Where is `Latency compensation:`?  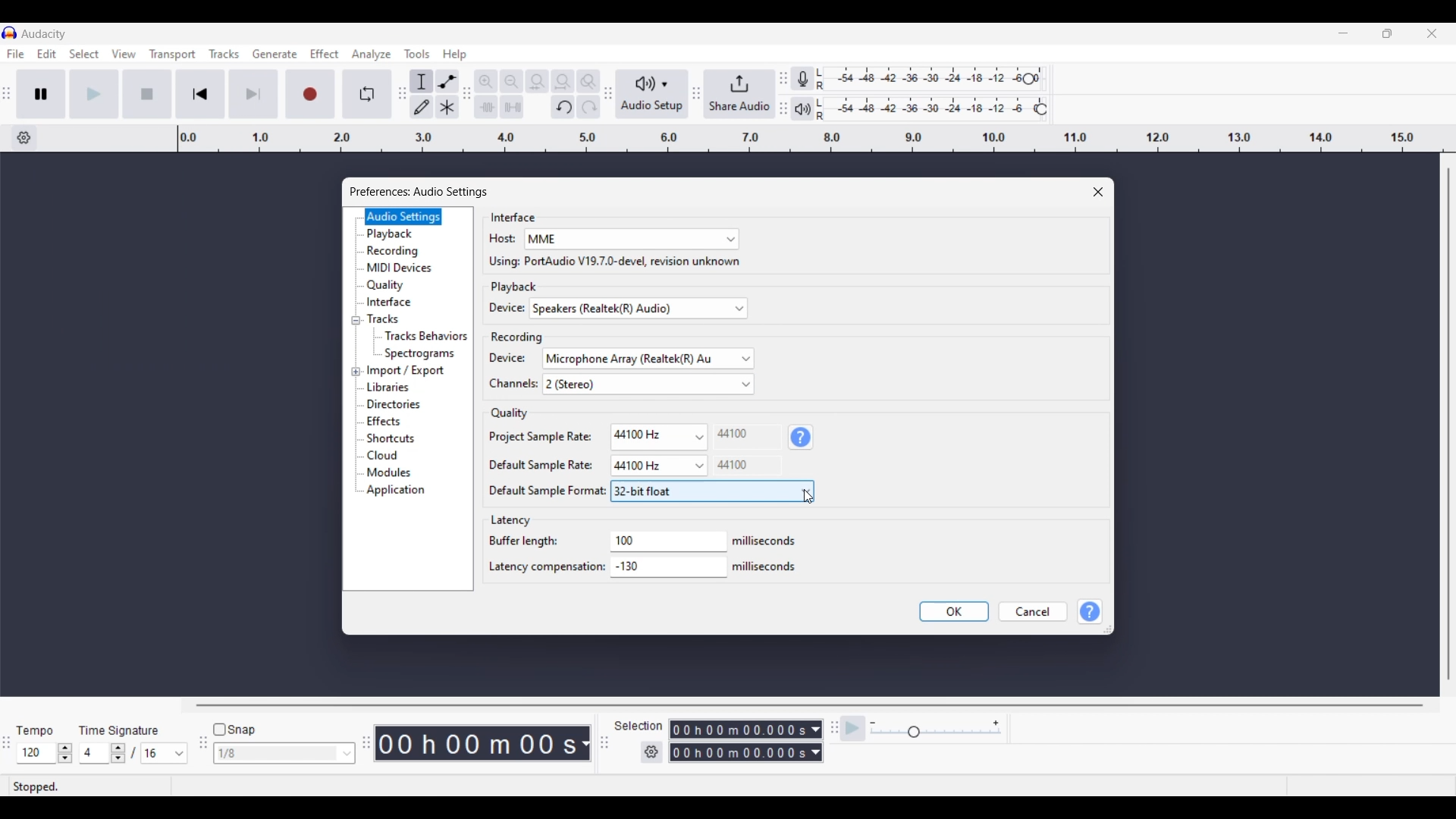
Latency compensation: is located at coordinates (545, 570).